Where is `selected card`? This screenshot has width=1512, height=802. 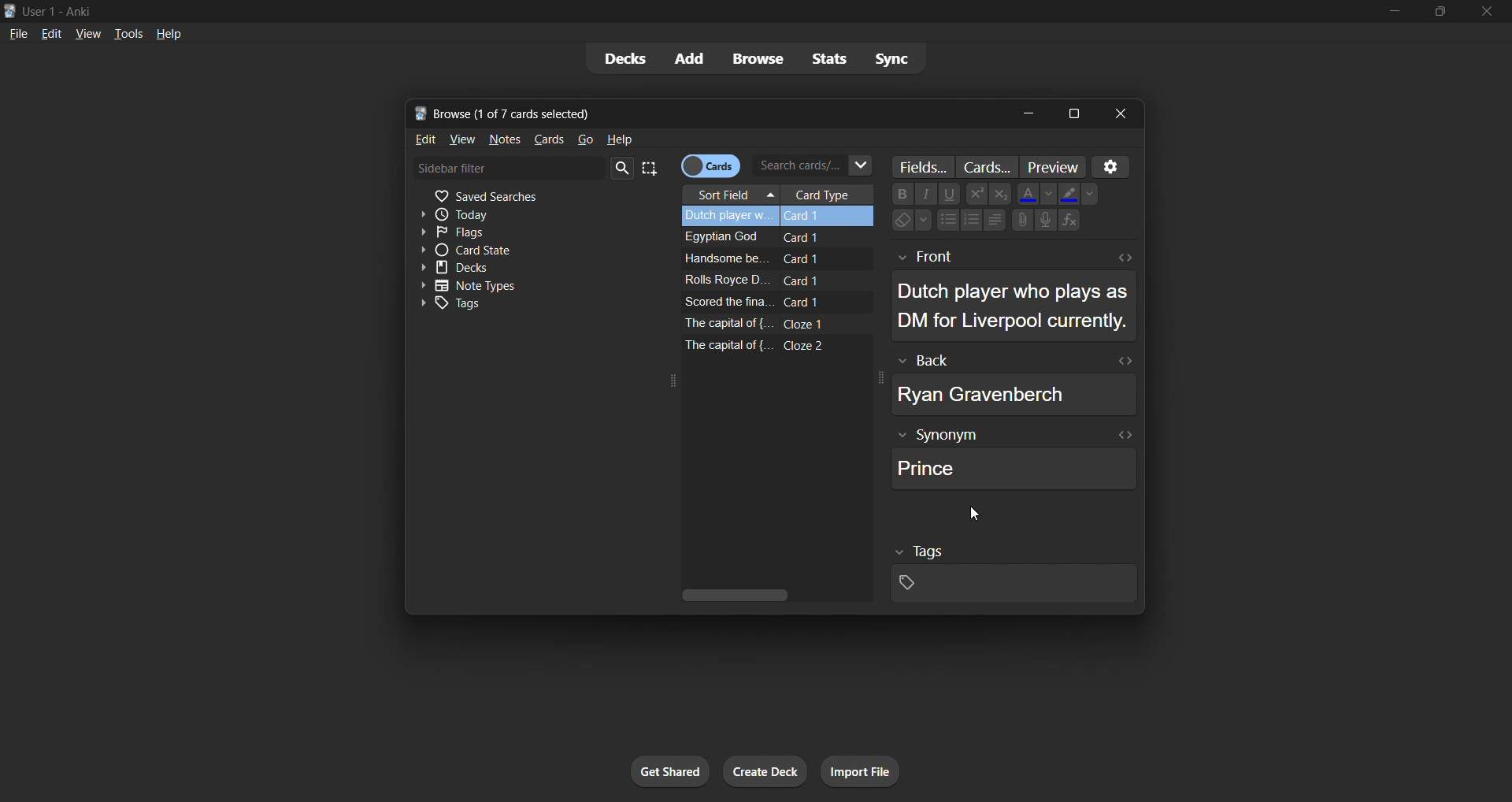 selected card is located at coordinates (776, 217).